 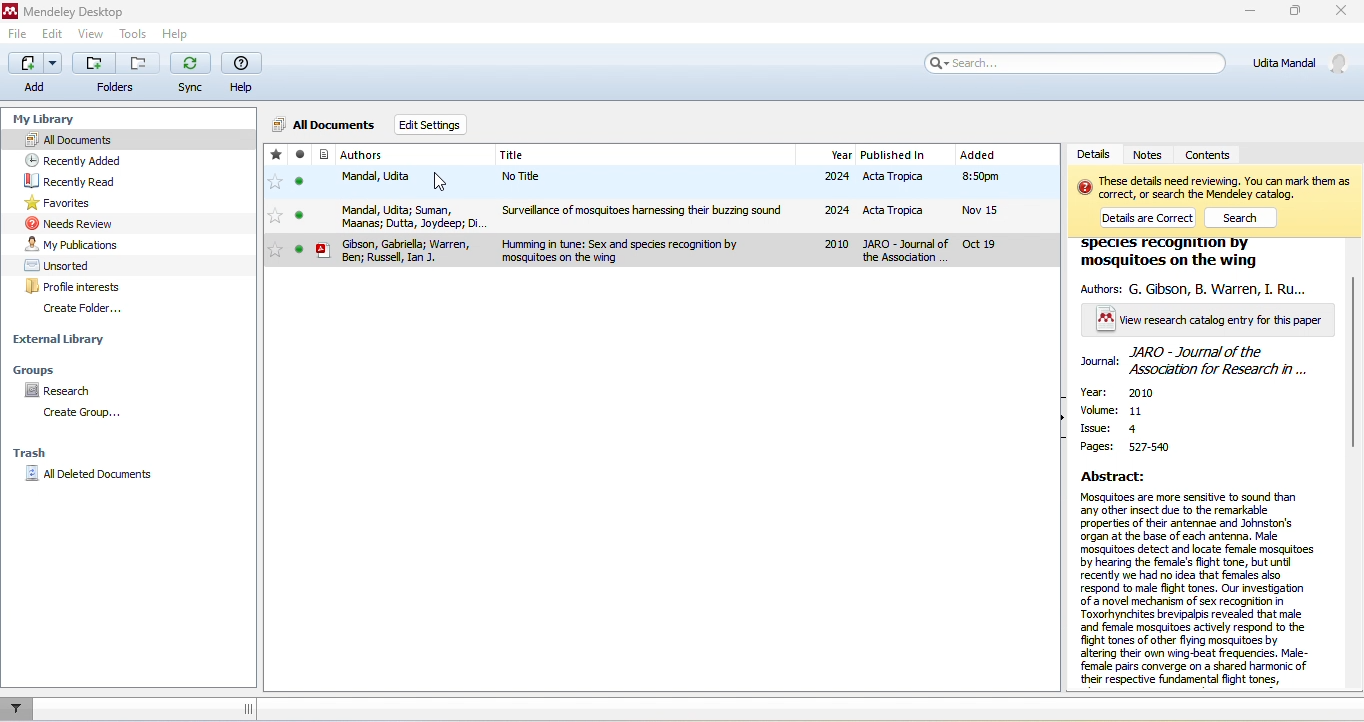 I want to click on add, so click(x=31, y=72).